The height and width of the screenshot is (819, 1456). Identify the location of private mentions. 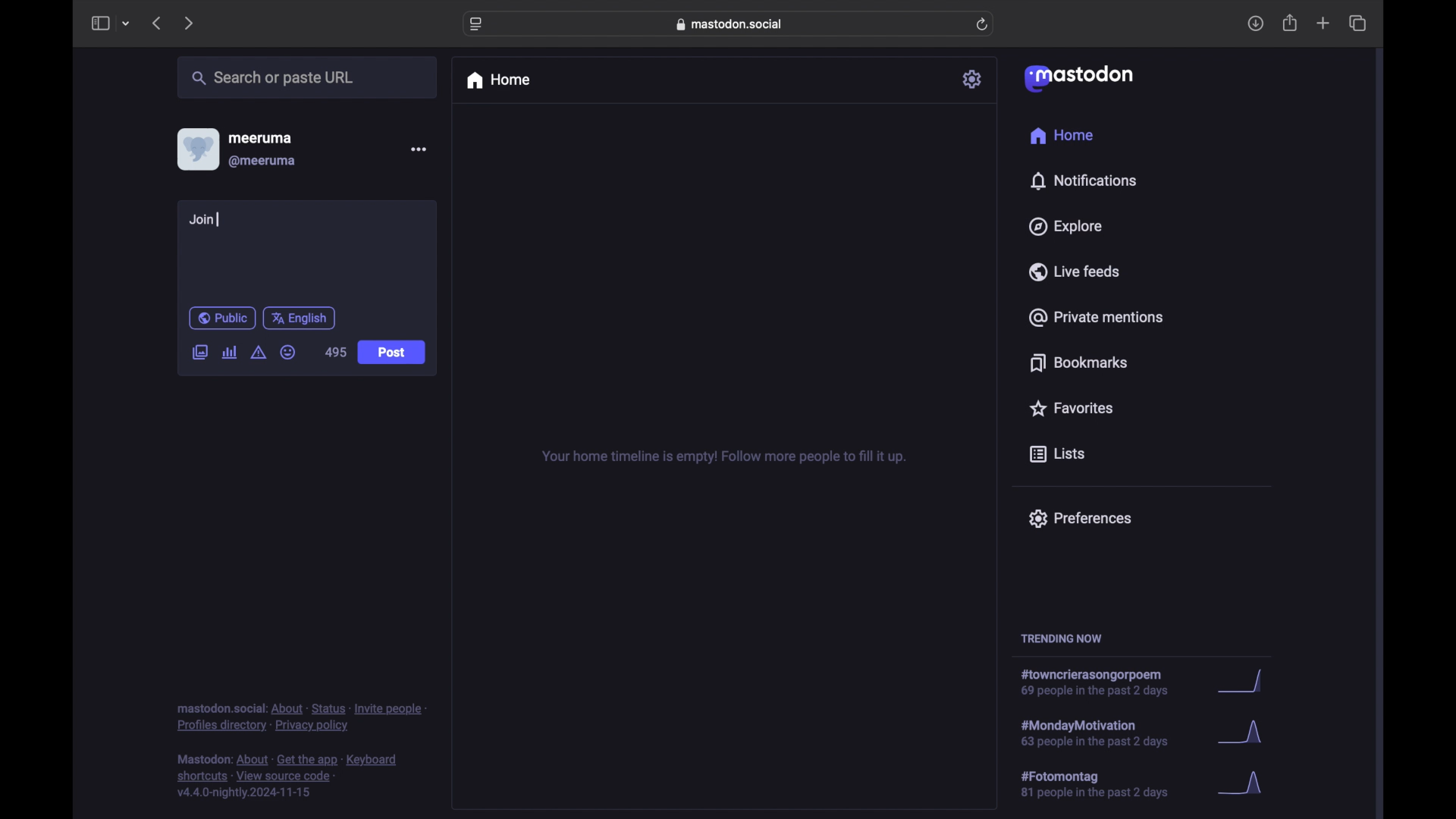
(1097, 317).